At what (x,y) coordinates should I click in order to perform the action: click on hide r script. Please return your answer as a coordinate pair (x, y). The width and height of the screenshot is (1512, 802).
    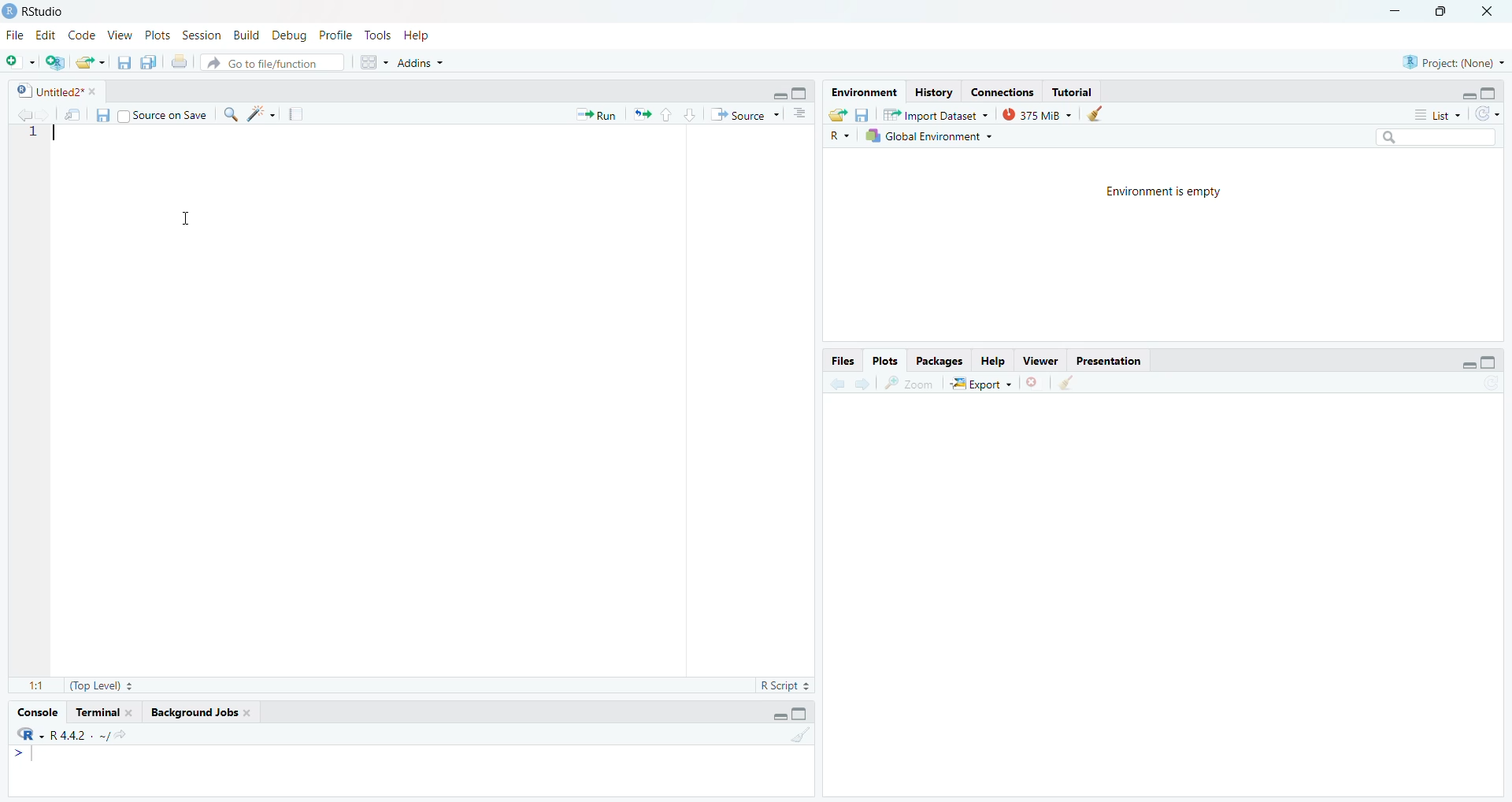
    Looking at the image, I should click on (1464, 364).